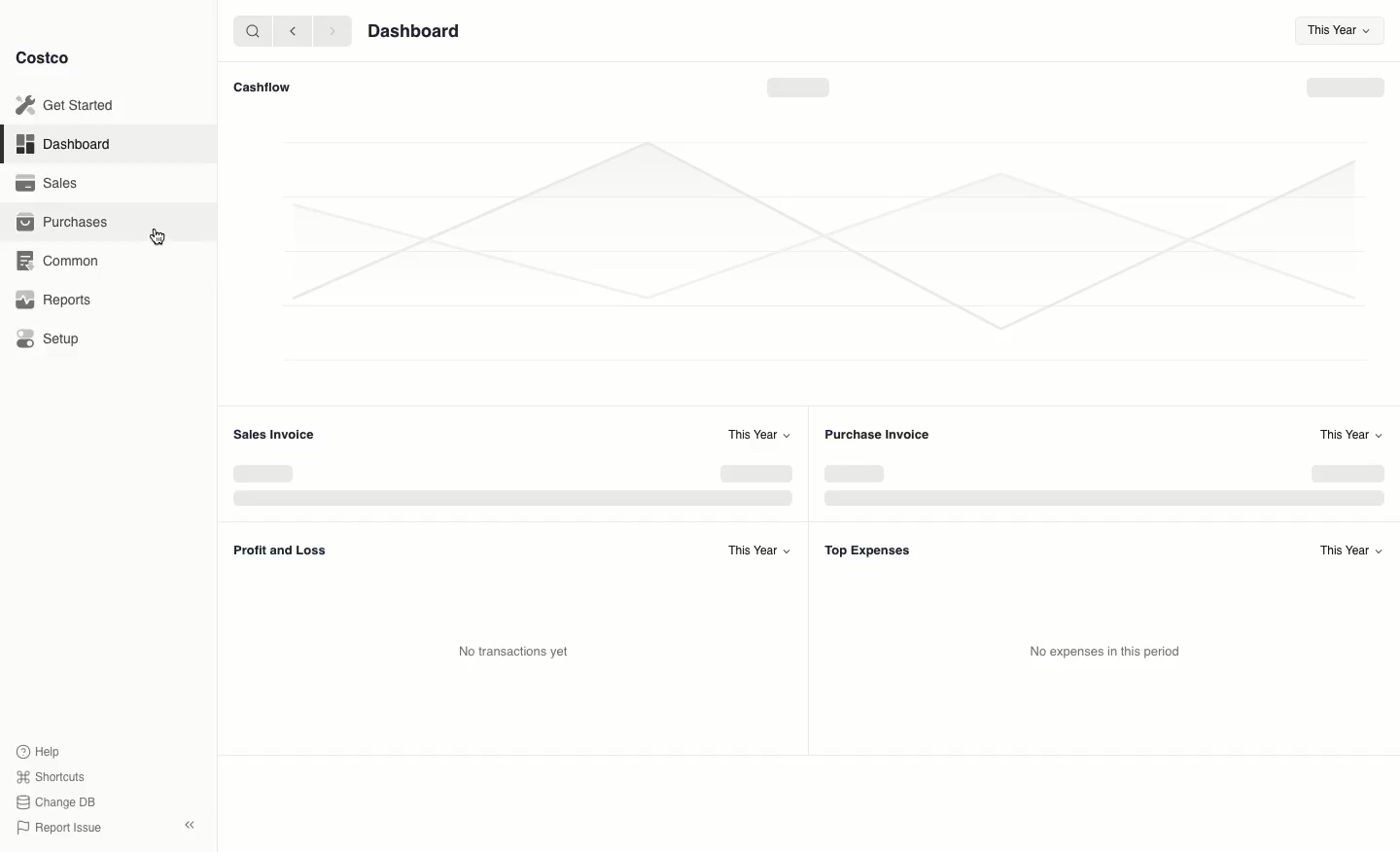 This screenshot has height=852, width=1400. I want to click on Purchases, so click(61, 221).